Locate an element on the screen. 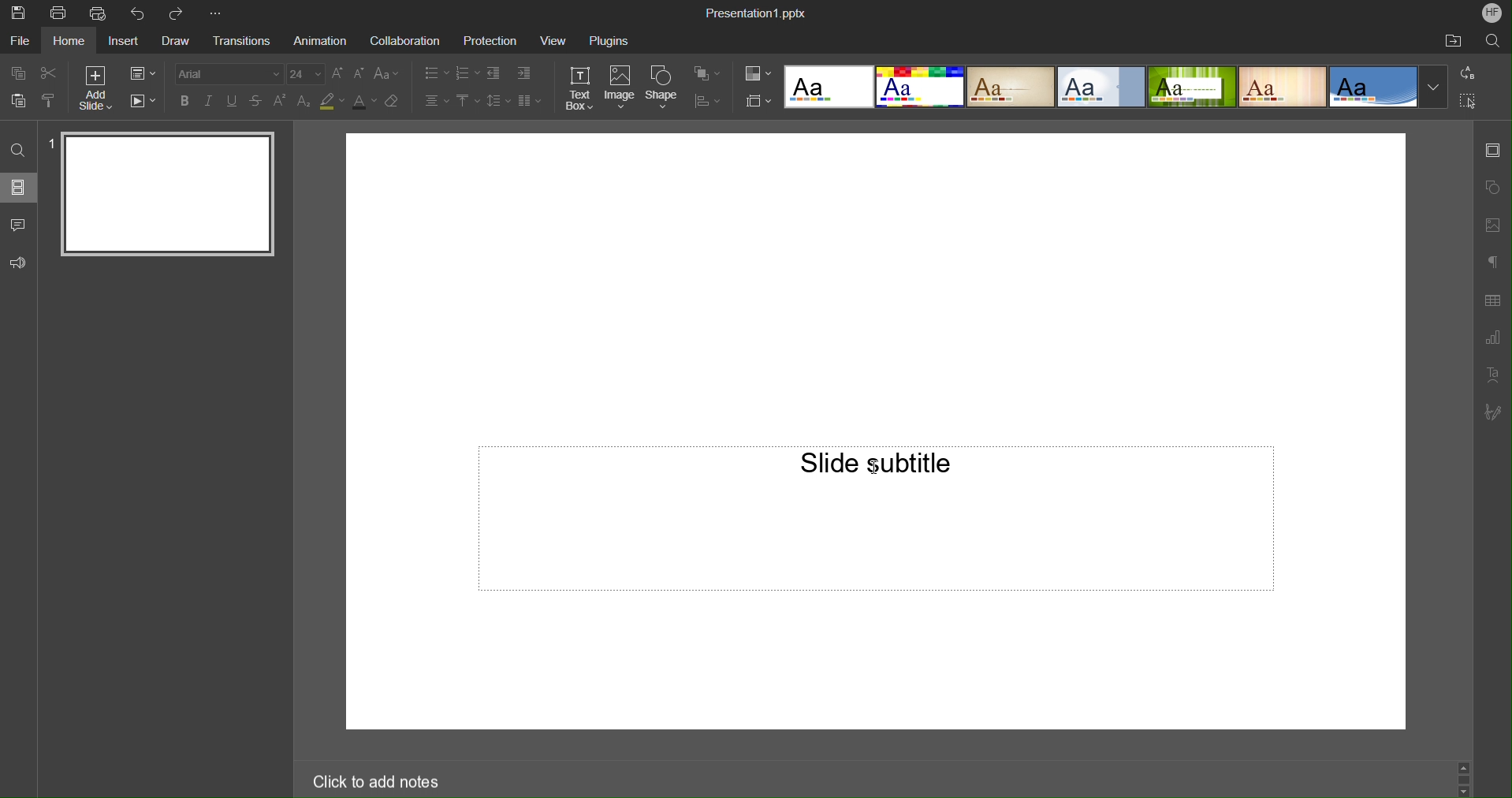 Image resolution: width=1512 pixels, height=798 pixels. Paragraph Settings is located at coordinates (1492, 263).